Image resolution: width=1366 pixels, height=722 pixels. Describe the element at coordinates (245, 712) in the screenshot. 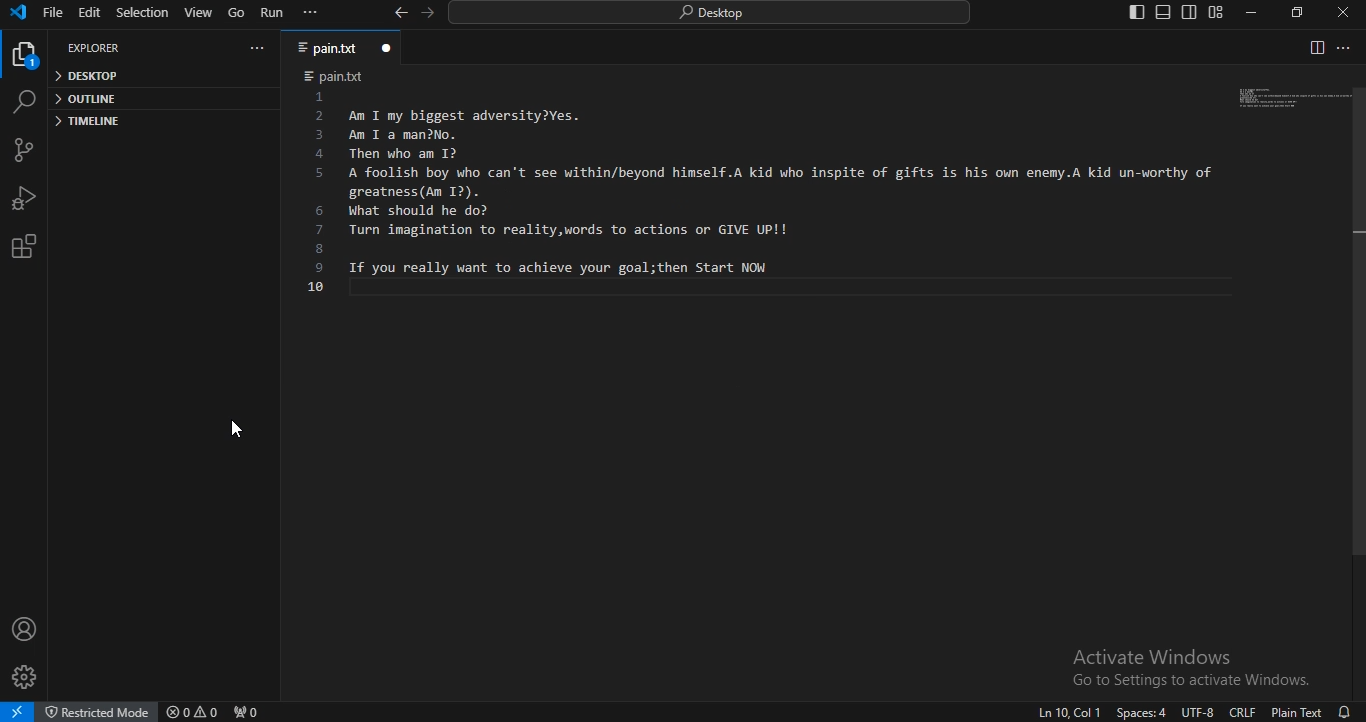

I see `no ports forwarded` at that location.